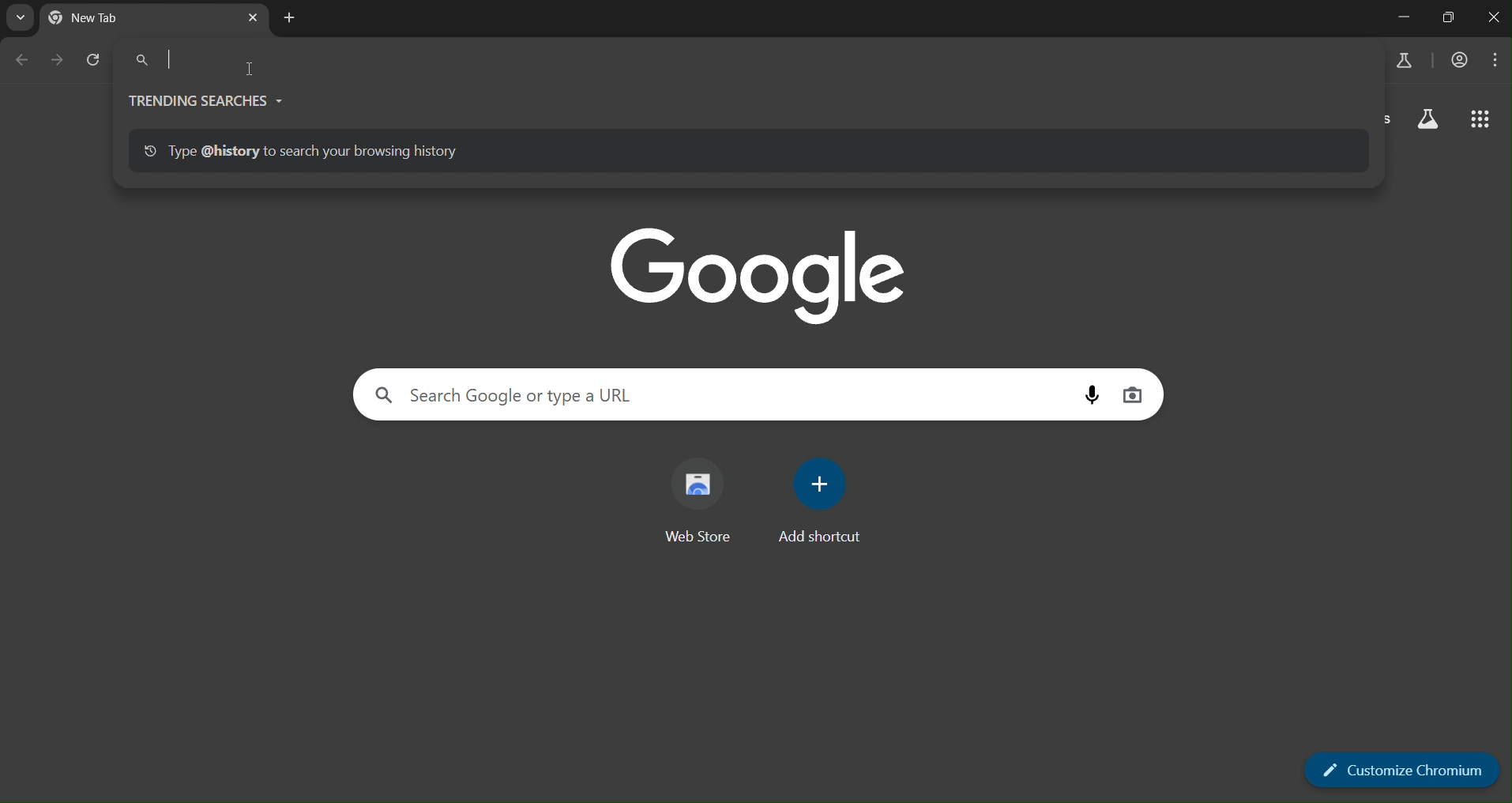 The width and height of the screenshot is (1512, 803). I want to click on customize chromium, so click(1397, 770).